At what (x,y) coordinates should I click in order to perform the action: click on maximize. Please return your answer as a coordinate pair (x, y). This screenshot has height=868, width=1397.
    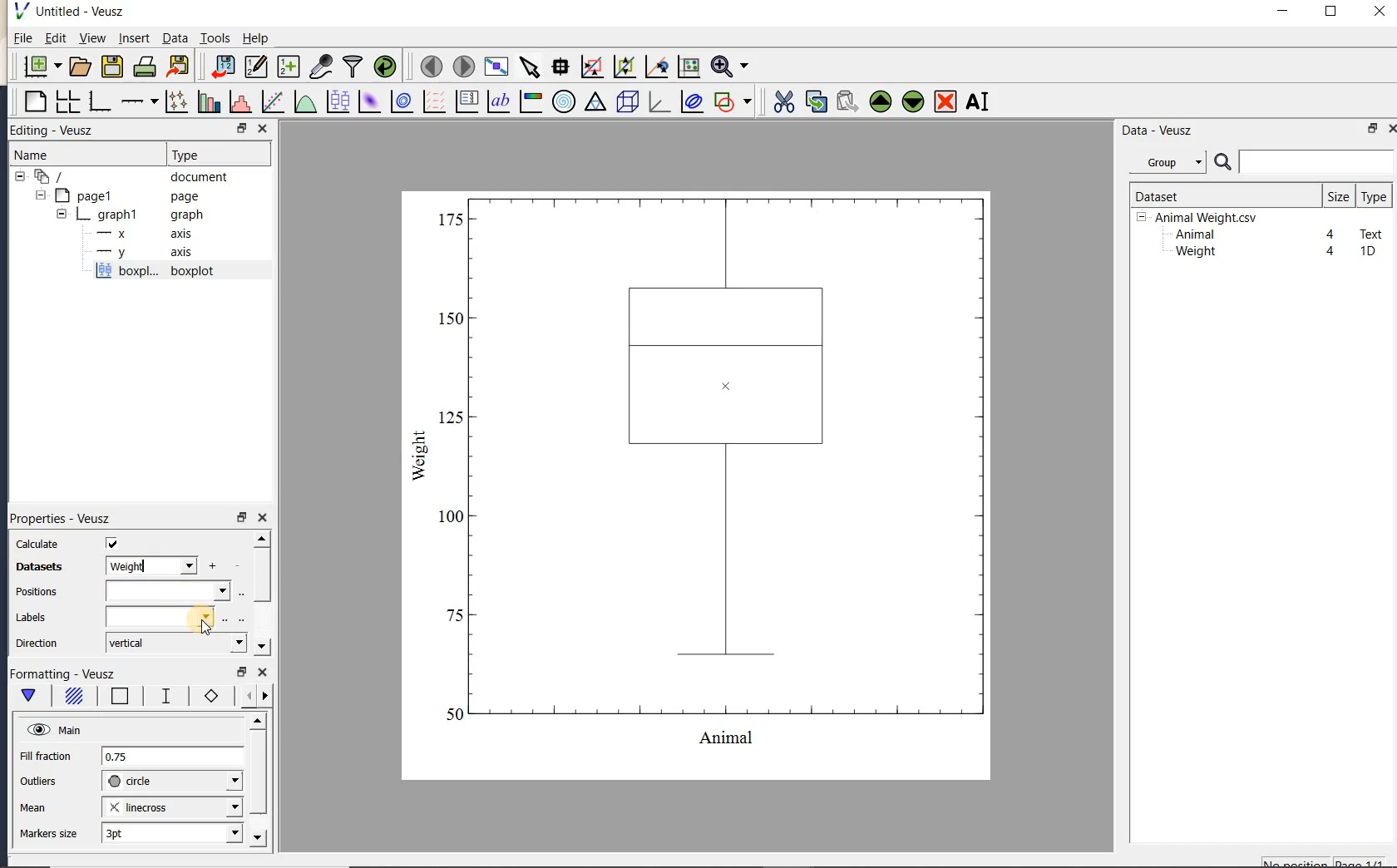
    Looking at the image, I should click on (1331, 12).